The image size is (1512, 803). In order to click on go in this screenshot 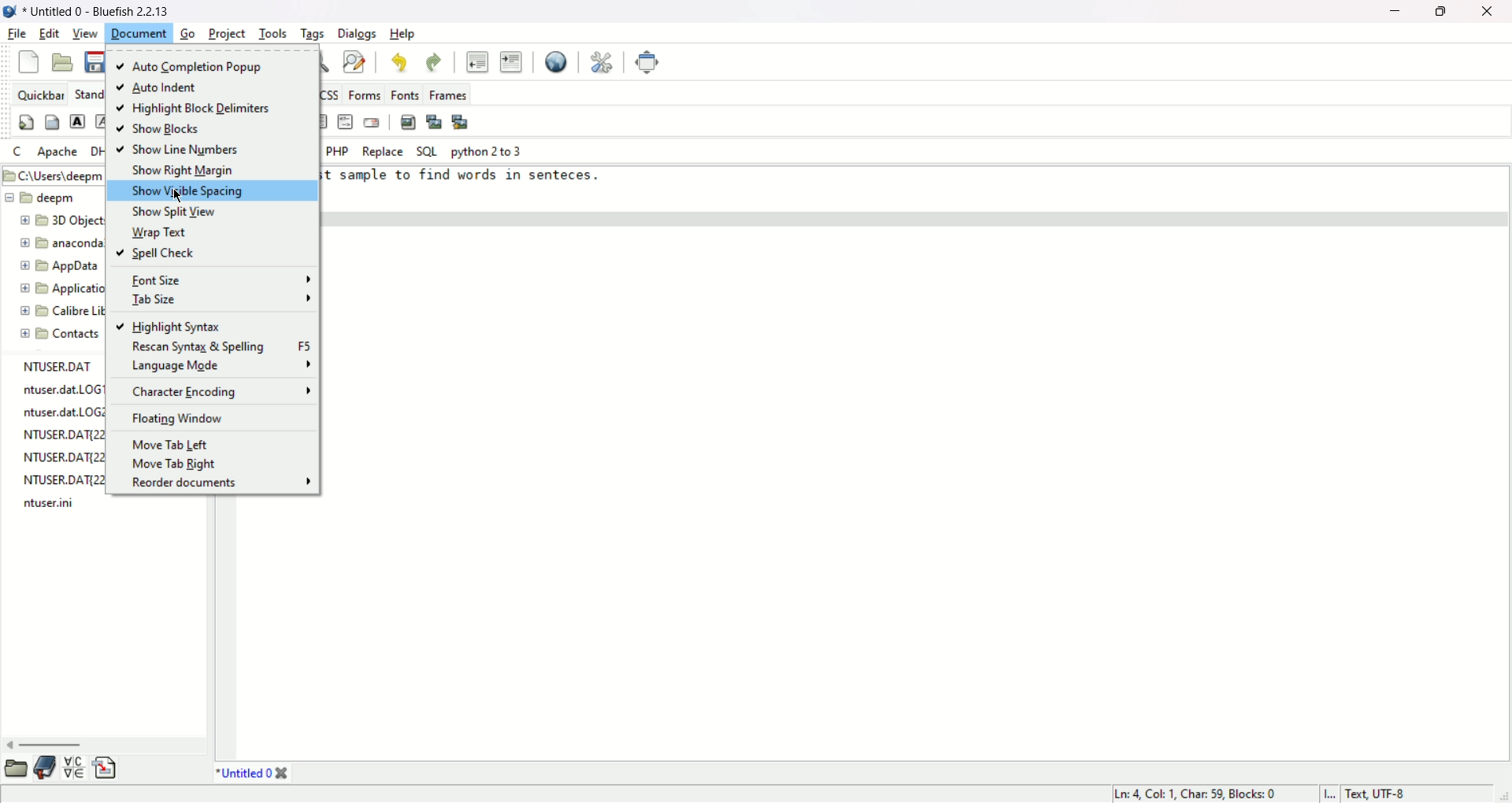, I will do `click(191, 33)`.